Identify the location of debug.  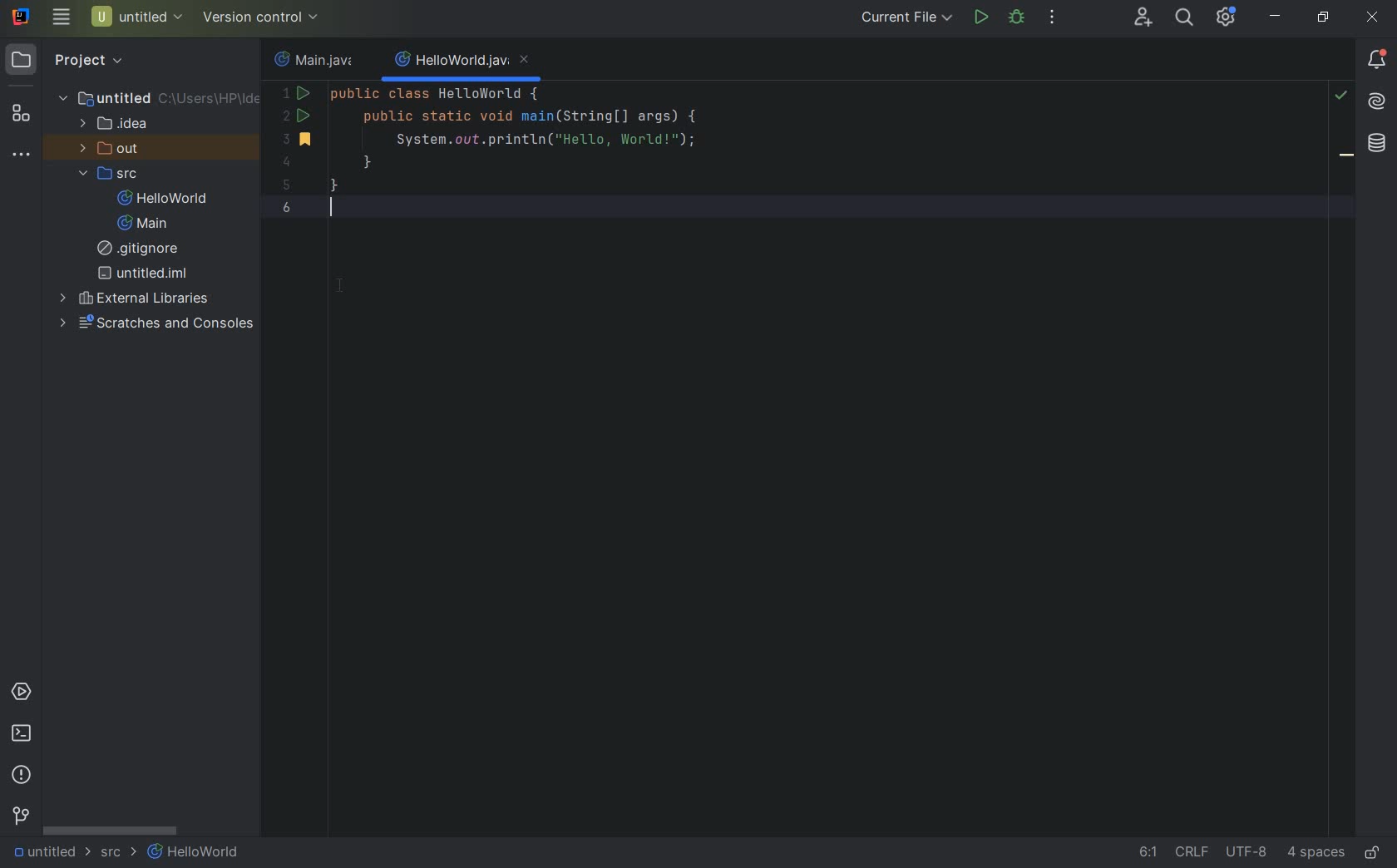
(1016, 18).